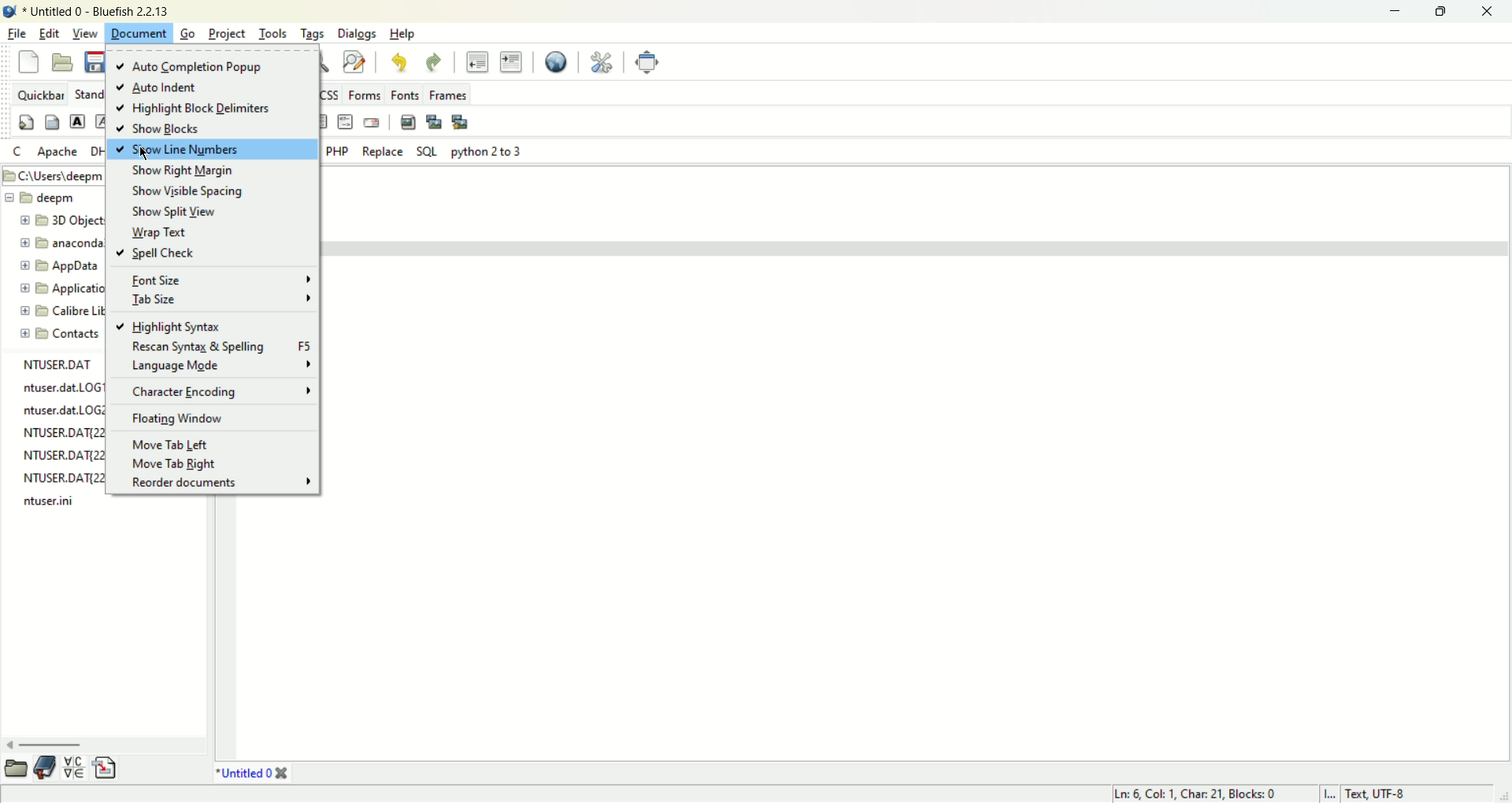 The width and height of the screenshot is (1512, 803). What do you see at coordinates (460, 120) in the screenshot?
I see `multi thumbnail` at bounding box center [460, 120].